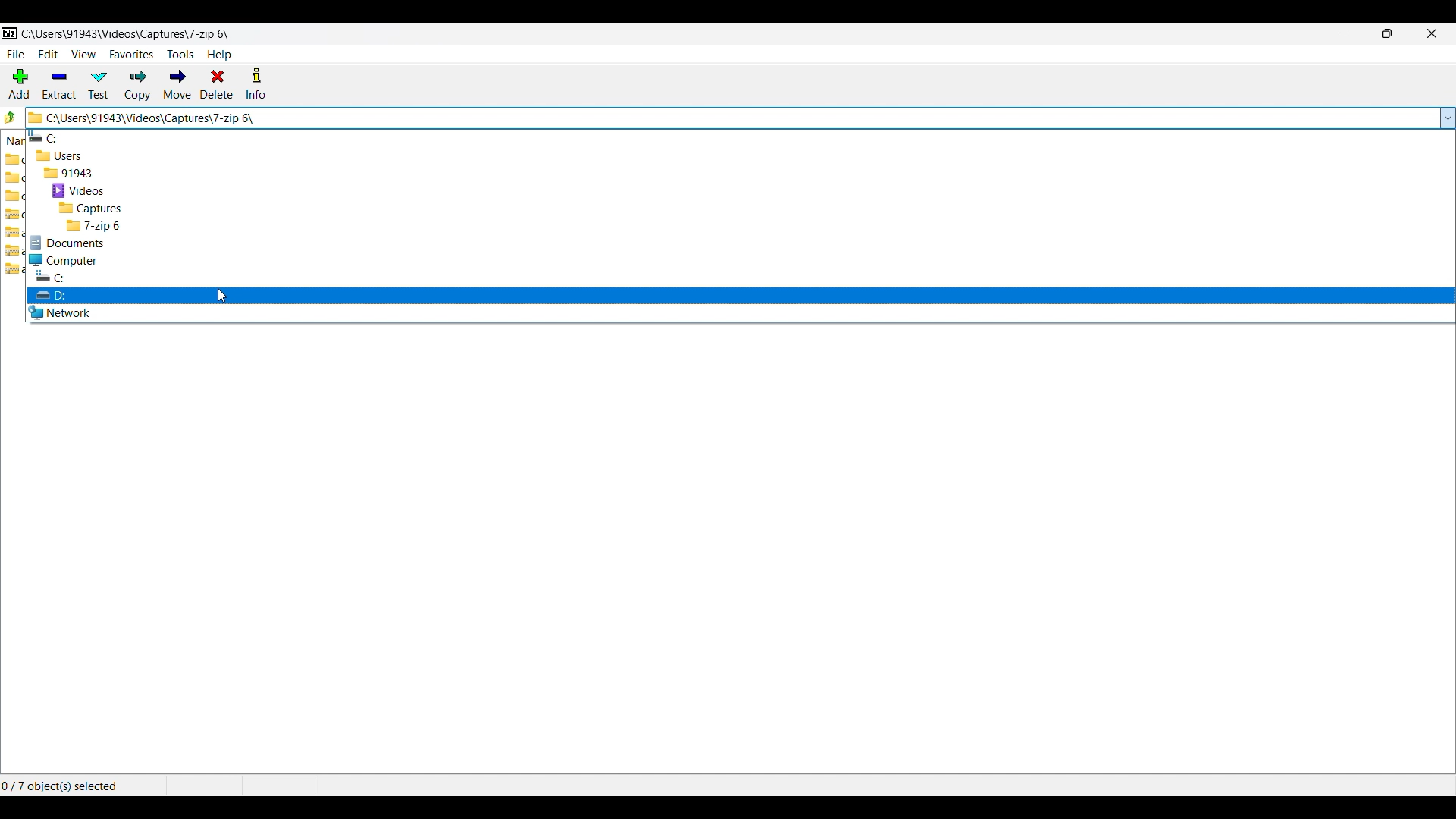 This screenshot has width=1456, height=819. What do you see at coordinates (740, 173) in the screenshot?
I see `91943 folder` at bounding box center [740, 173].